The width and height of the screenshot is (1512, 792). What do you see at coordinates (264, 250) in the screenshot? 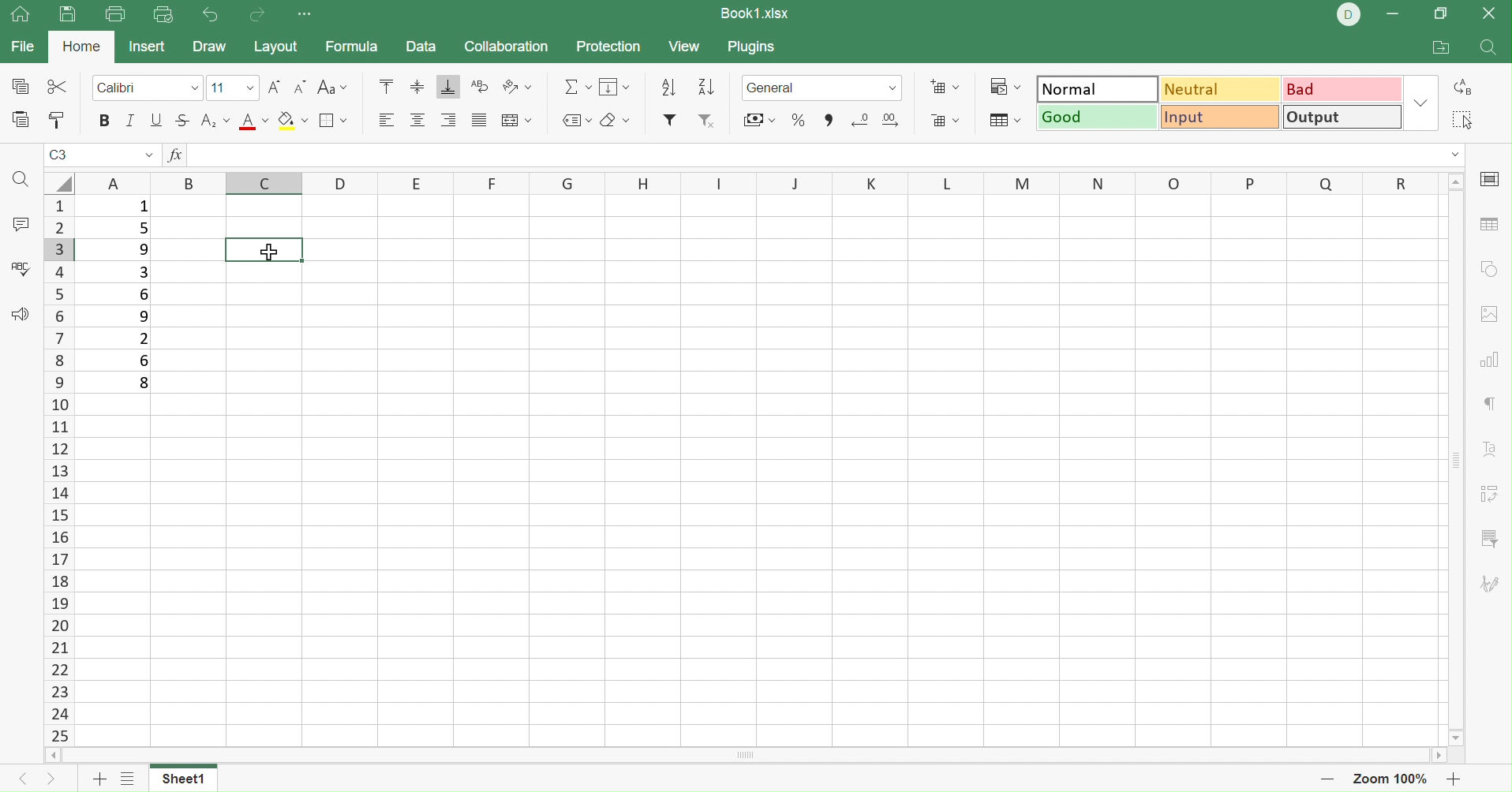
I see `box ` at bounding box center [264, 250].